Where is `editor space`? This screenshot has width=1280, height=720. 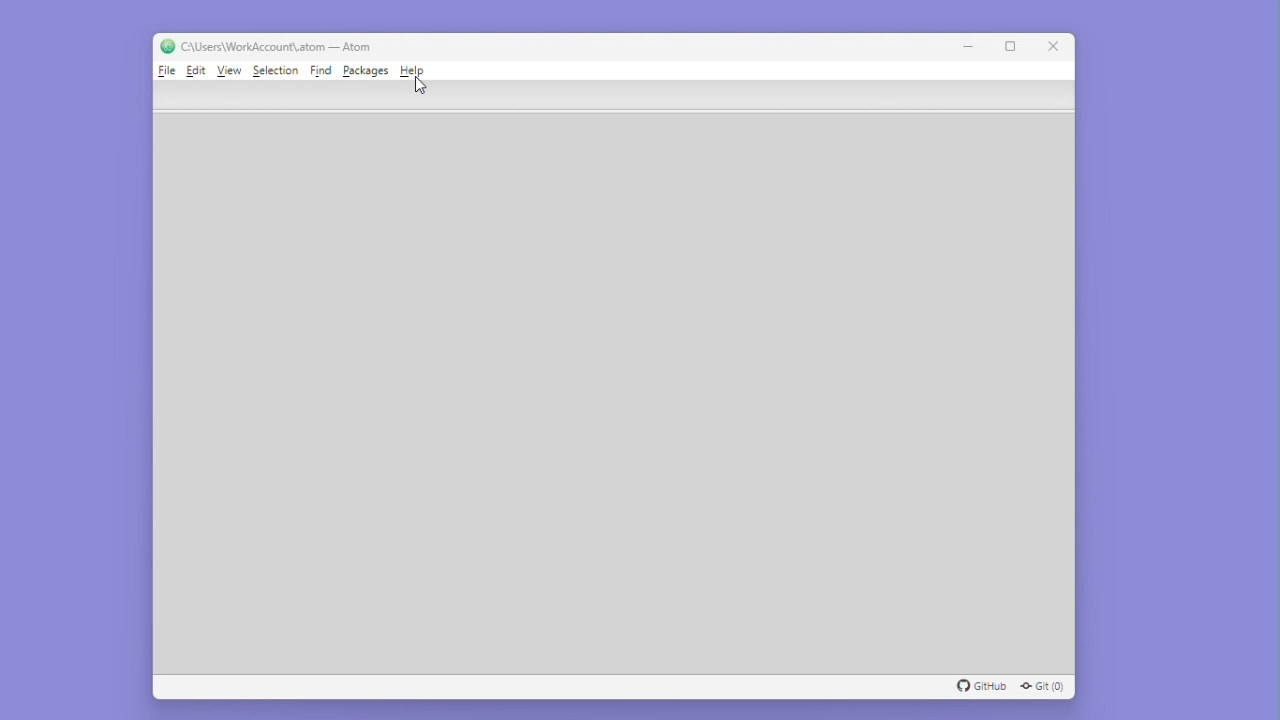
editor space is located at coordinates (611, 389).